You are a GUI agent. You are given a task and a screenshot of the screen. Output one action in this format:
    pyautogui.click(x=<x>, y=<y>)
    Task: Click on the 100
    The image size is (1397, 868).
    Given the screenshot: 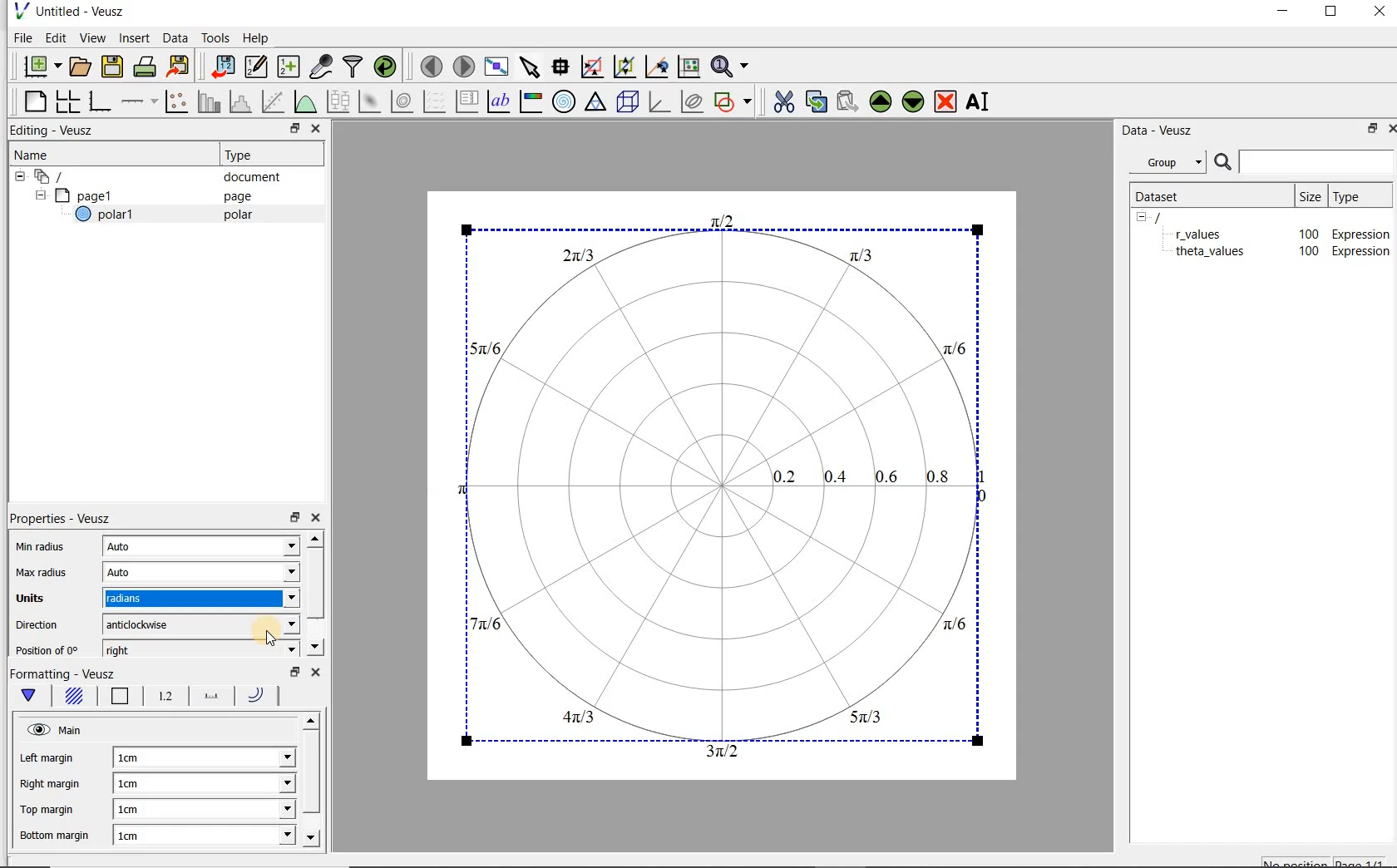 What is the action you would take?
    pyautogui.click(x=1304, y=232)
    